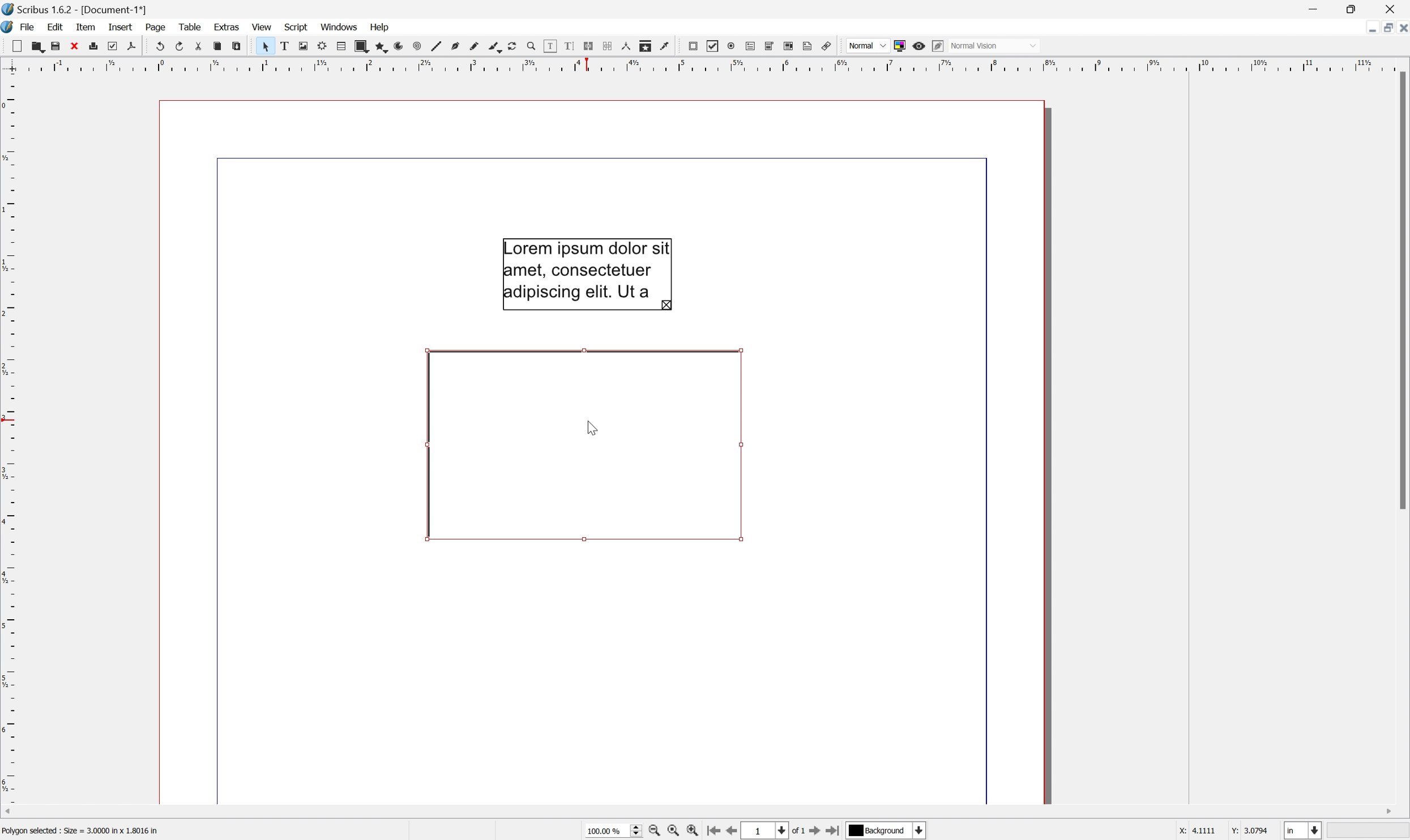 This screenshot has height=840, width=1410. What do you see at coordinates (9, 27) in the screenshot?
I see `Scribus icon` at bounding box center [9, 27].